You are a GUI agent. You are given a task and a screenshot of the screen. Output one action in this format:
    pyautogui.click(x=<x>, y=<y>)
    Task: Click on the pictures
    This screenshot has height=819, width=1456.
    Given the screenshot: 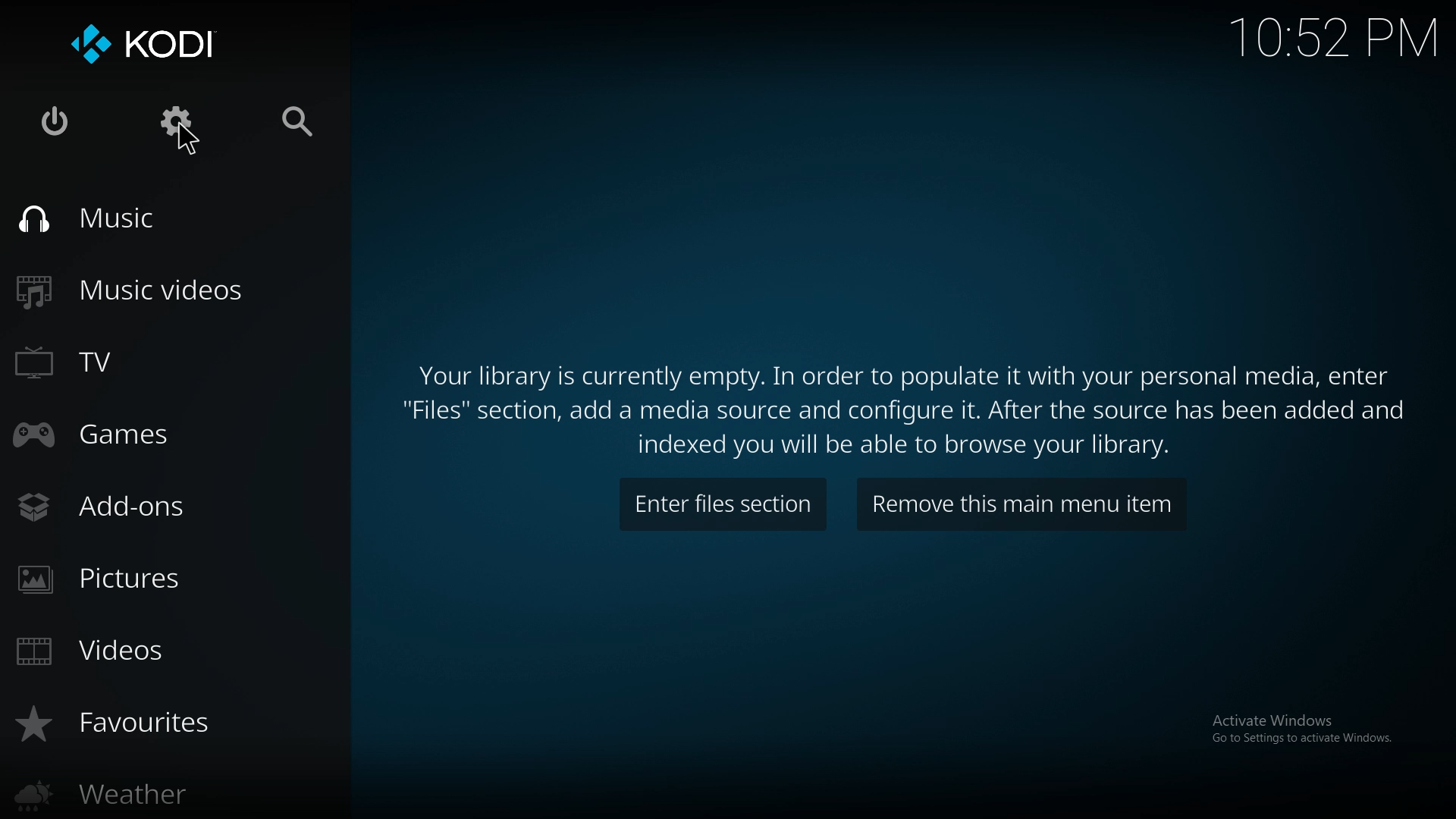 What is the action you would take?
    pyautogui.click(x=133, y=582)
    